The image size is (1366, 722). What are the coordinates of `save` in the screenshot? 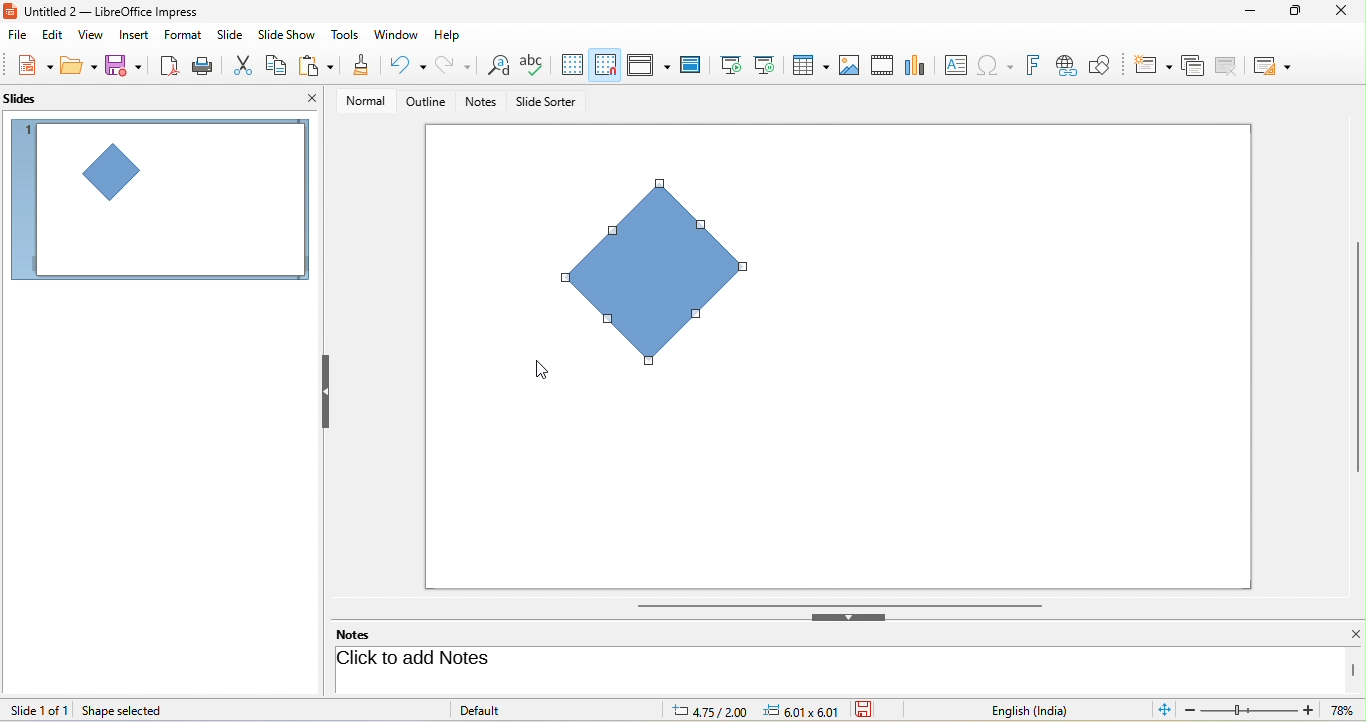 It's located at (125, 66).